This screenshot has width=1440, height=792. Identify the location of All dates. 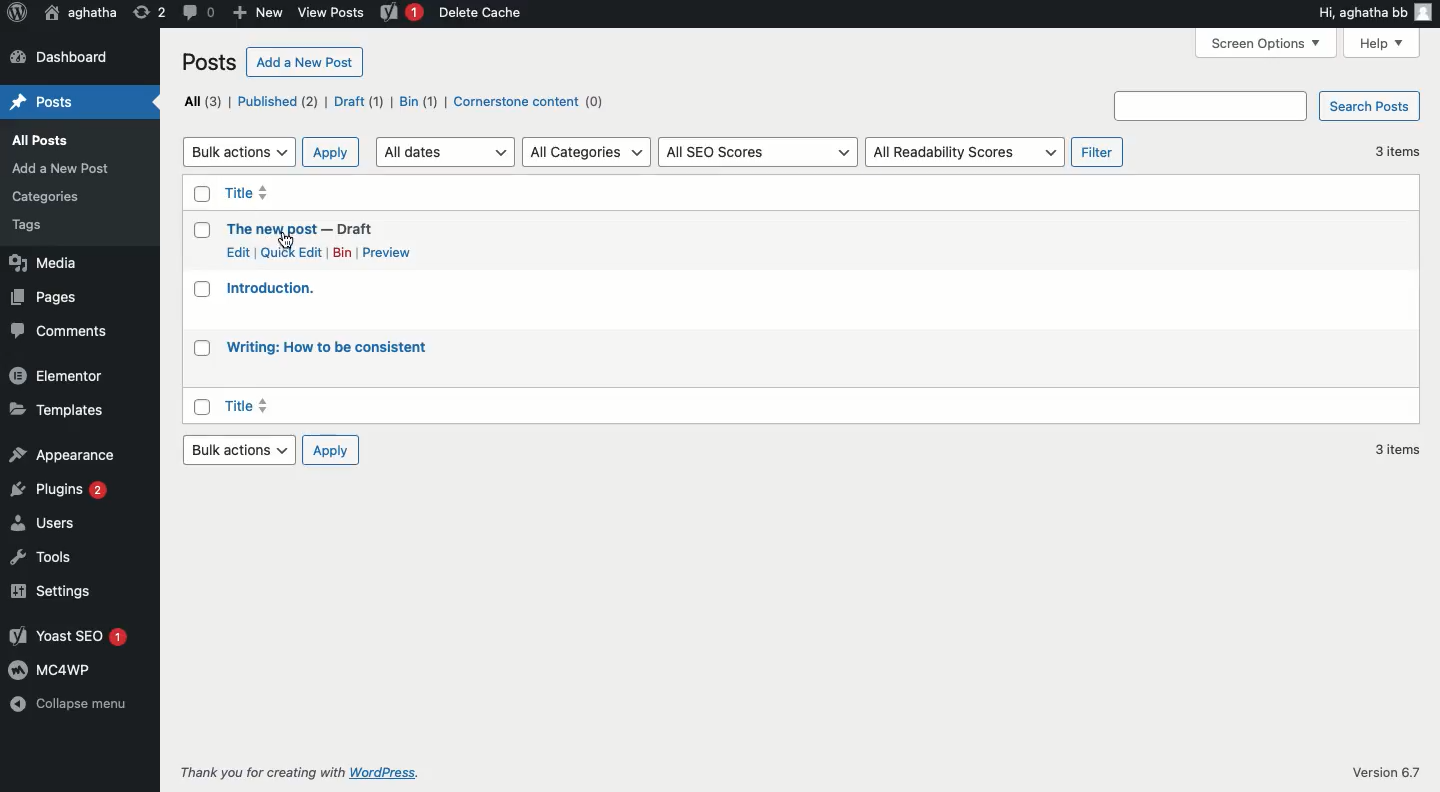
(443, 151).